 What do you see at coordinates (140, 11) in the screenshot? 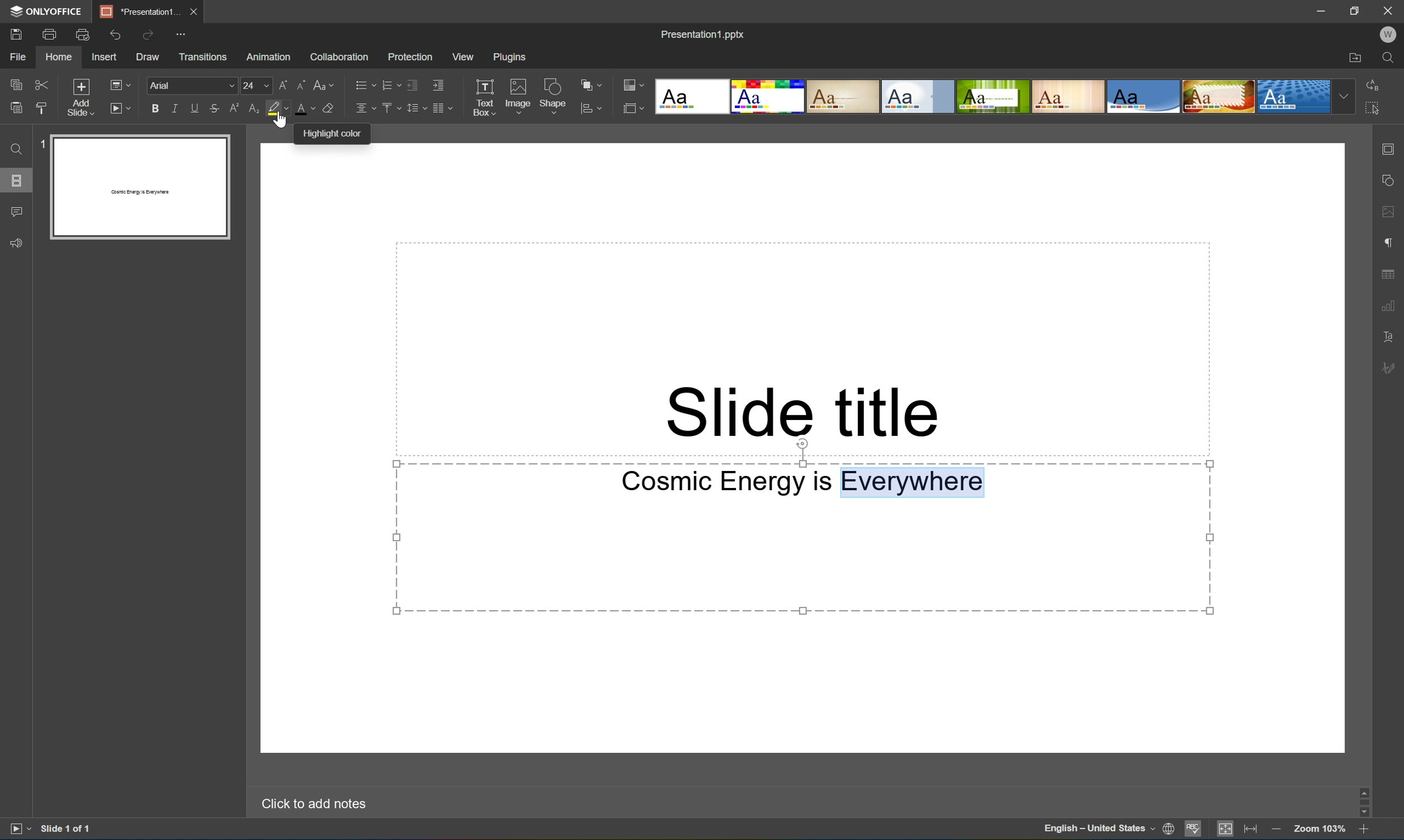
I see `*Presentation1` at bounding box center [140, 11].